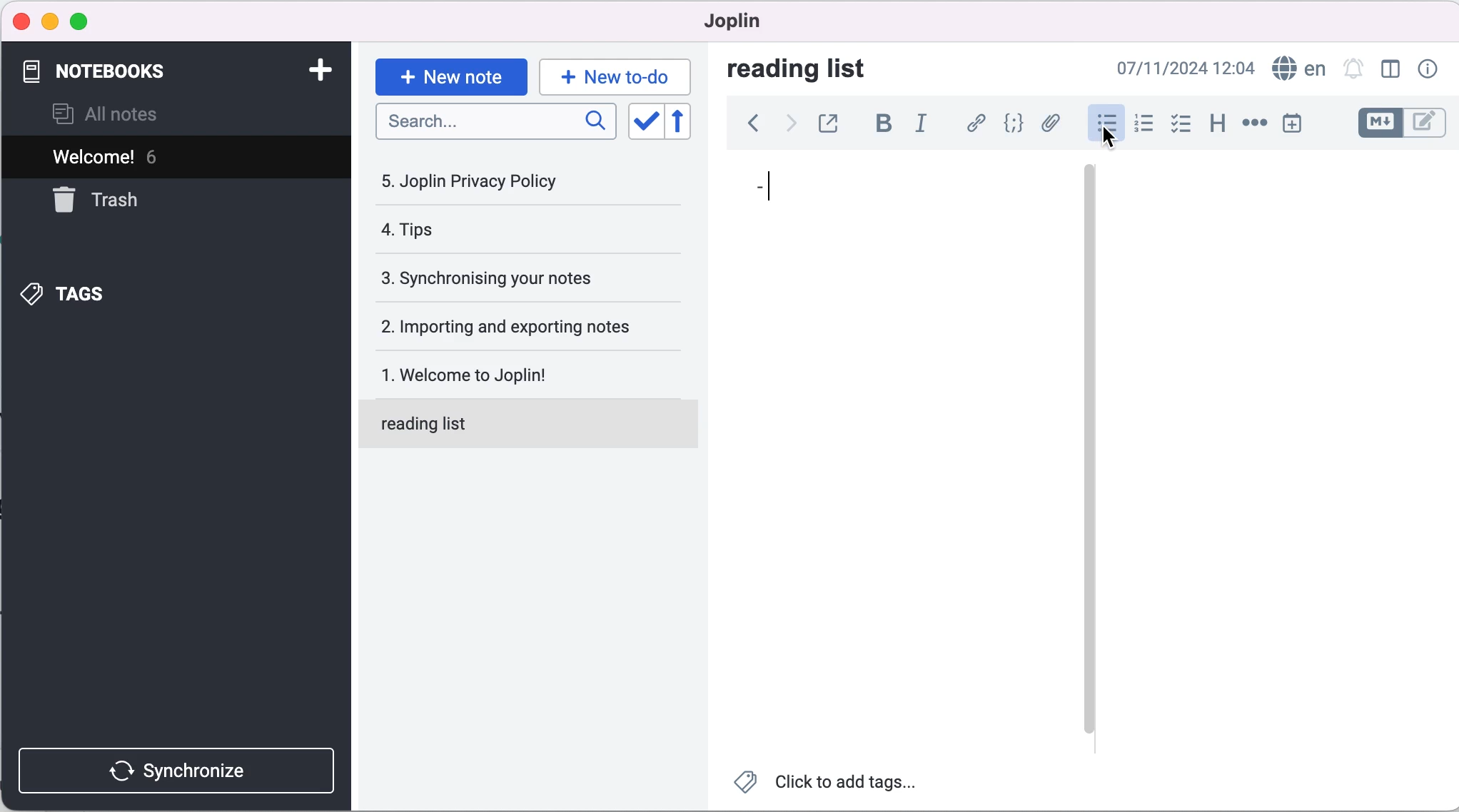 Image resolution: width=1459 pixels, height=812 pixels. What do you see at coordinates (532, 367) in the screenshot?
I see `welcome to joplin` at bounding box center [532, 367].